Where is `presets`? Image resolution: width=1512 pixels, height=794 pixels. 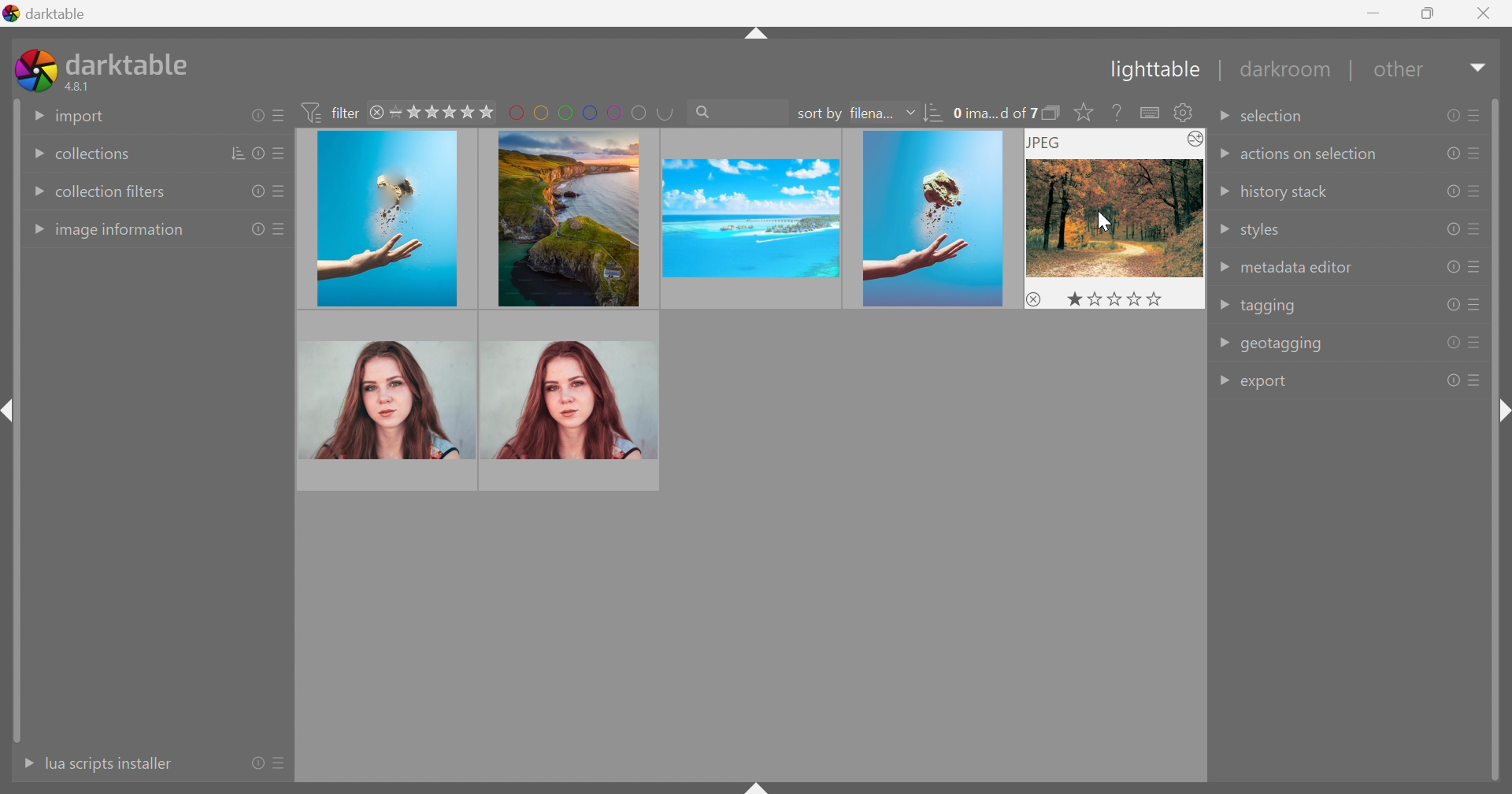 presets is located at coordinates (1478, 190).